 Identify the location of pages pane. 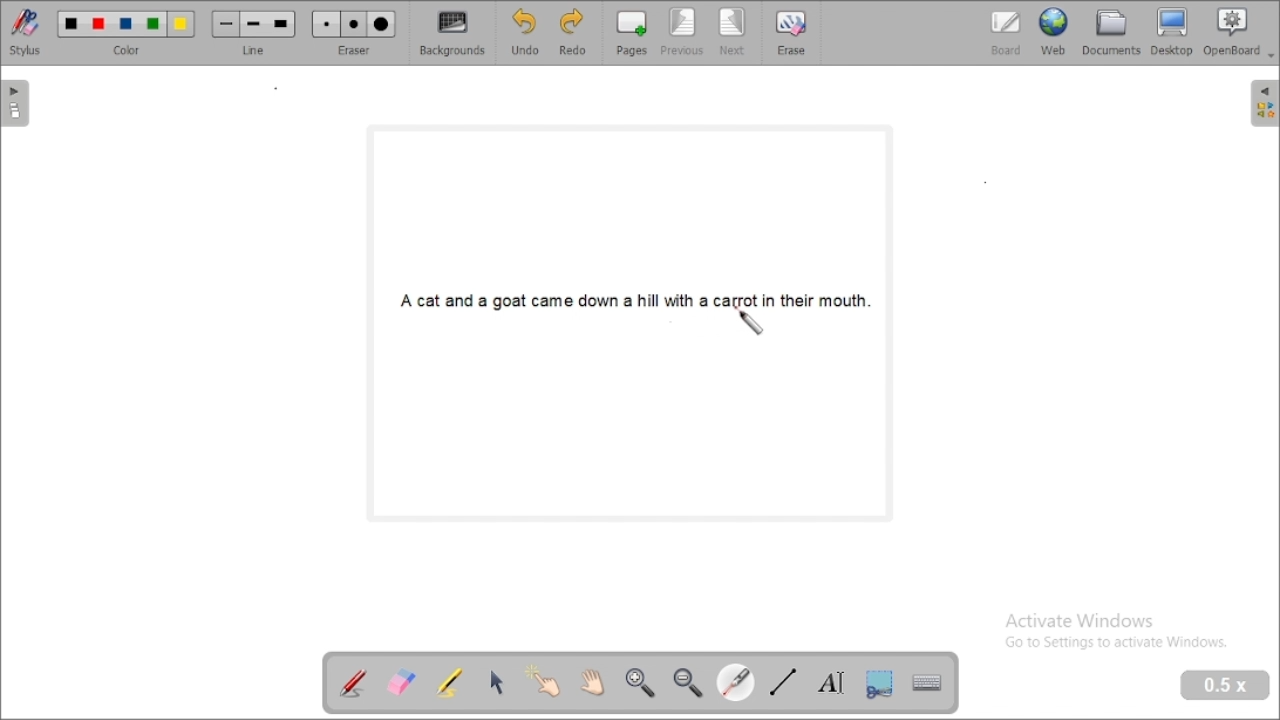
(18, 103).